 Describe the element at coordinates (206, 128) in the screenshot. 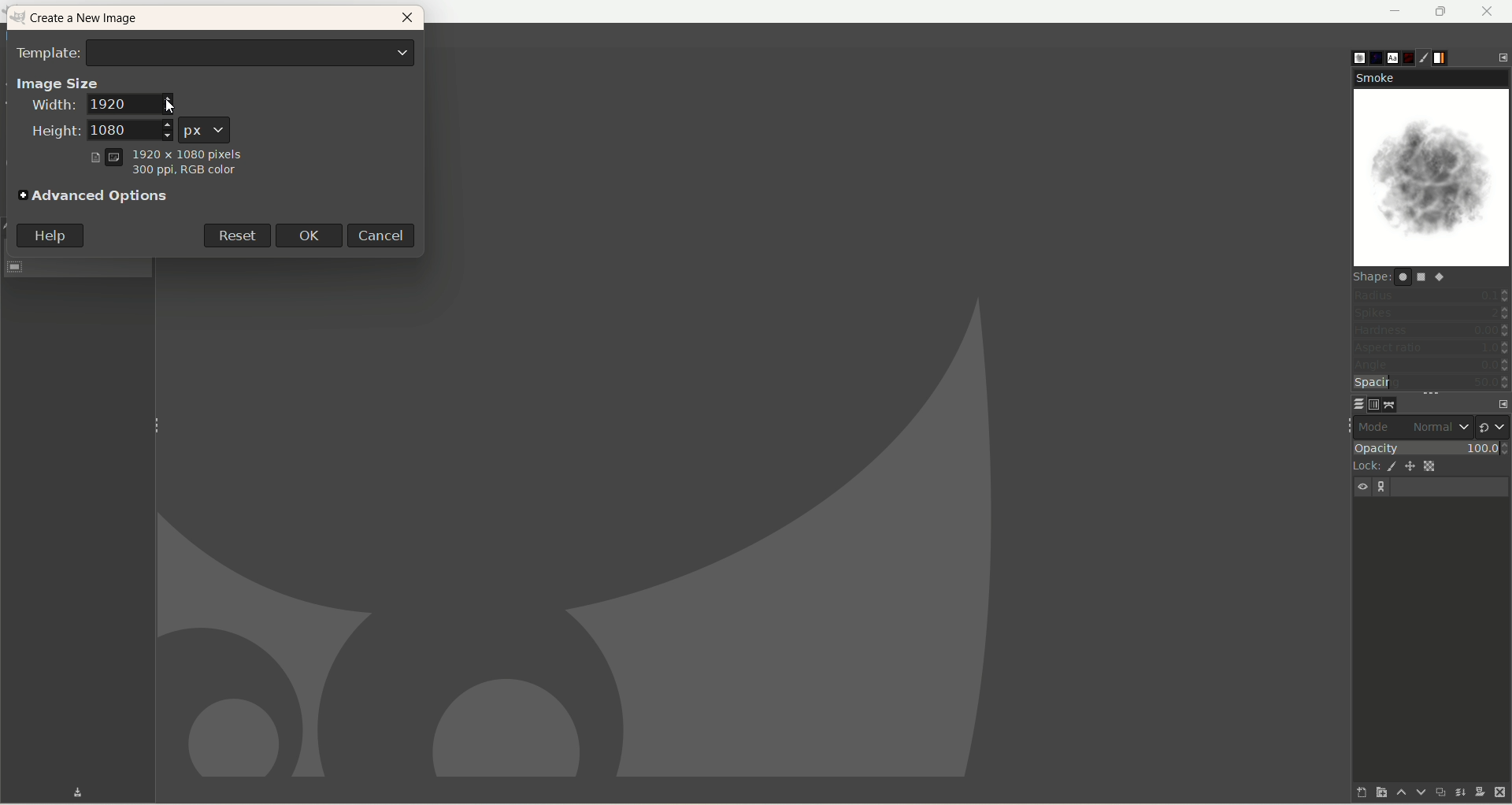

I see `pixel` at that location.